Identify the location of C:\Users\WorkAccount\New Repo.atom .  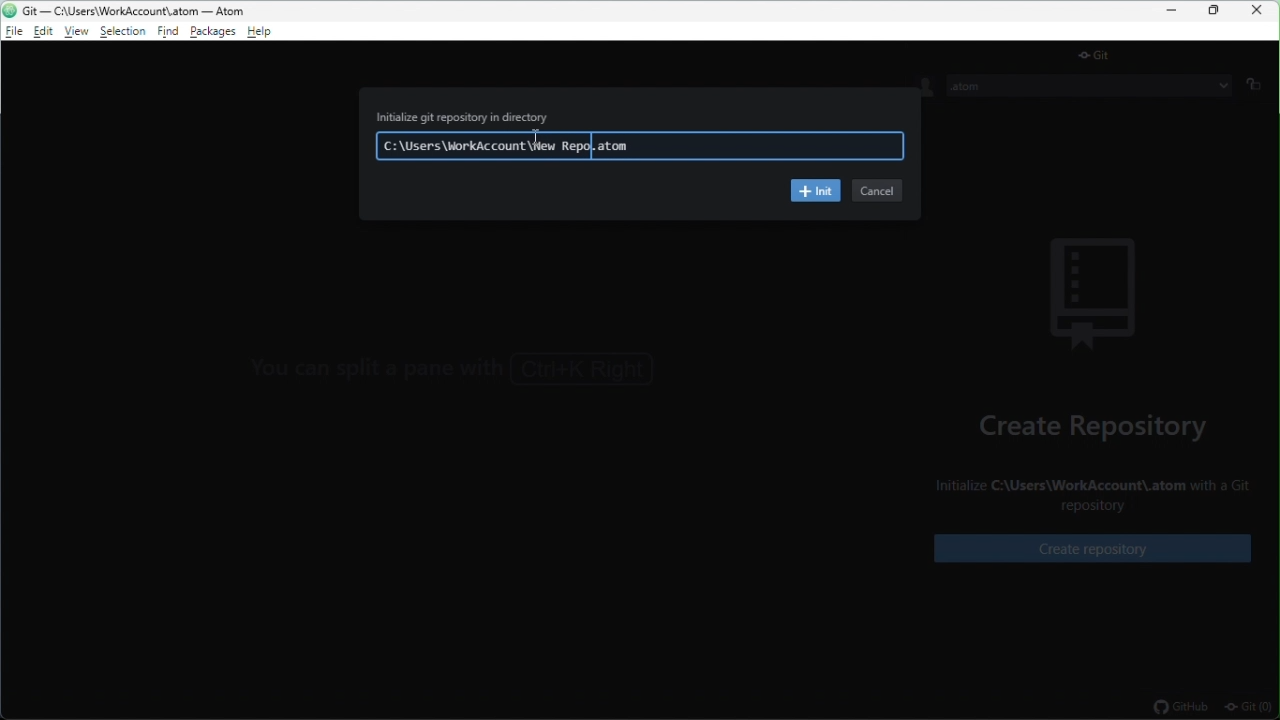
(642, 147).